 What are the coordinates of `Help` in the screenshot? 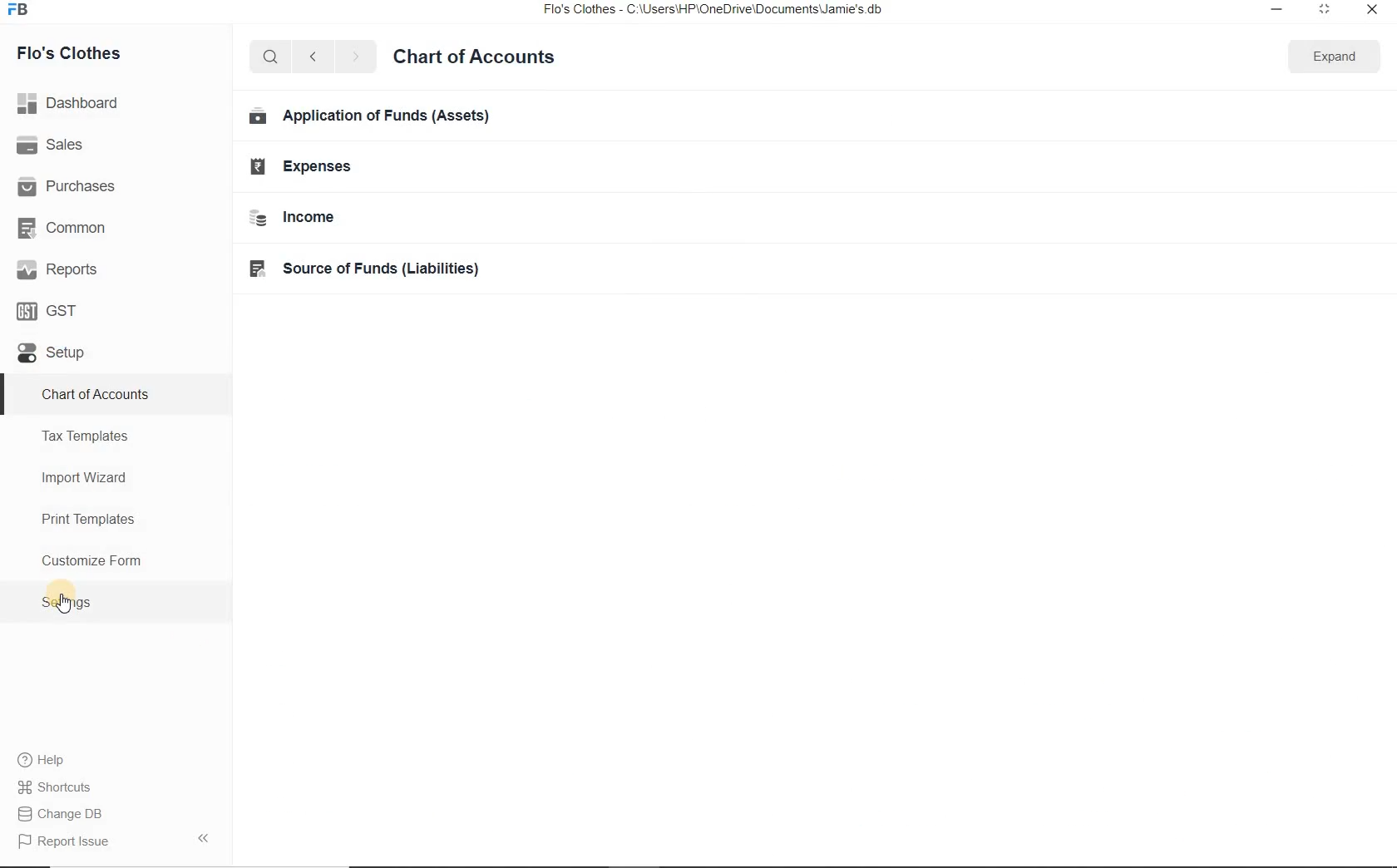 It's located at (47, 762).